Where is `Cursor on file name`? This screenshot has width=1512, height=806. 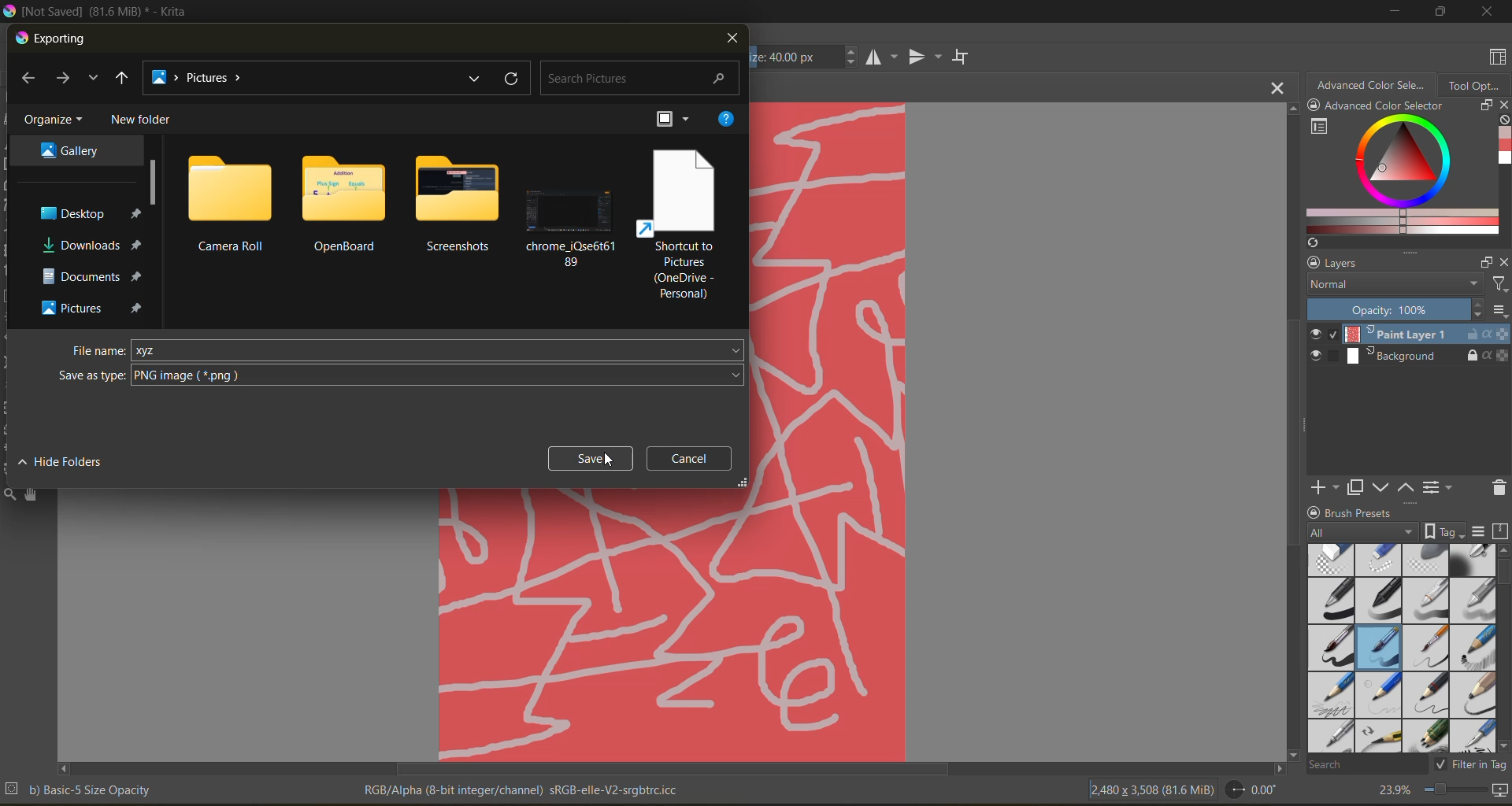 Cursor on file name is located at coordinates (439, 350).